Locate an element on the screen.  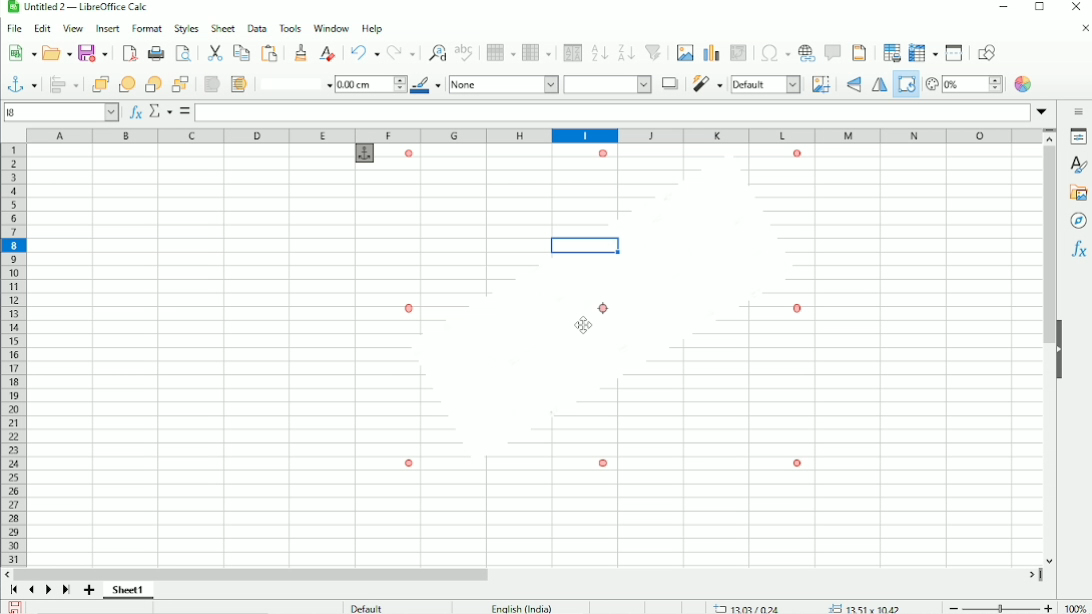
Line color is located at coordinates (426, 84).